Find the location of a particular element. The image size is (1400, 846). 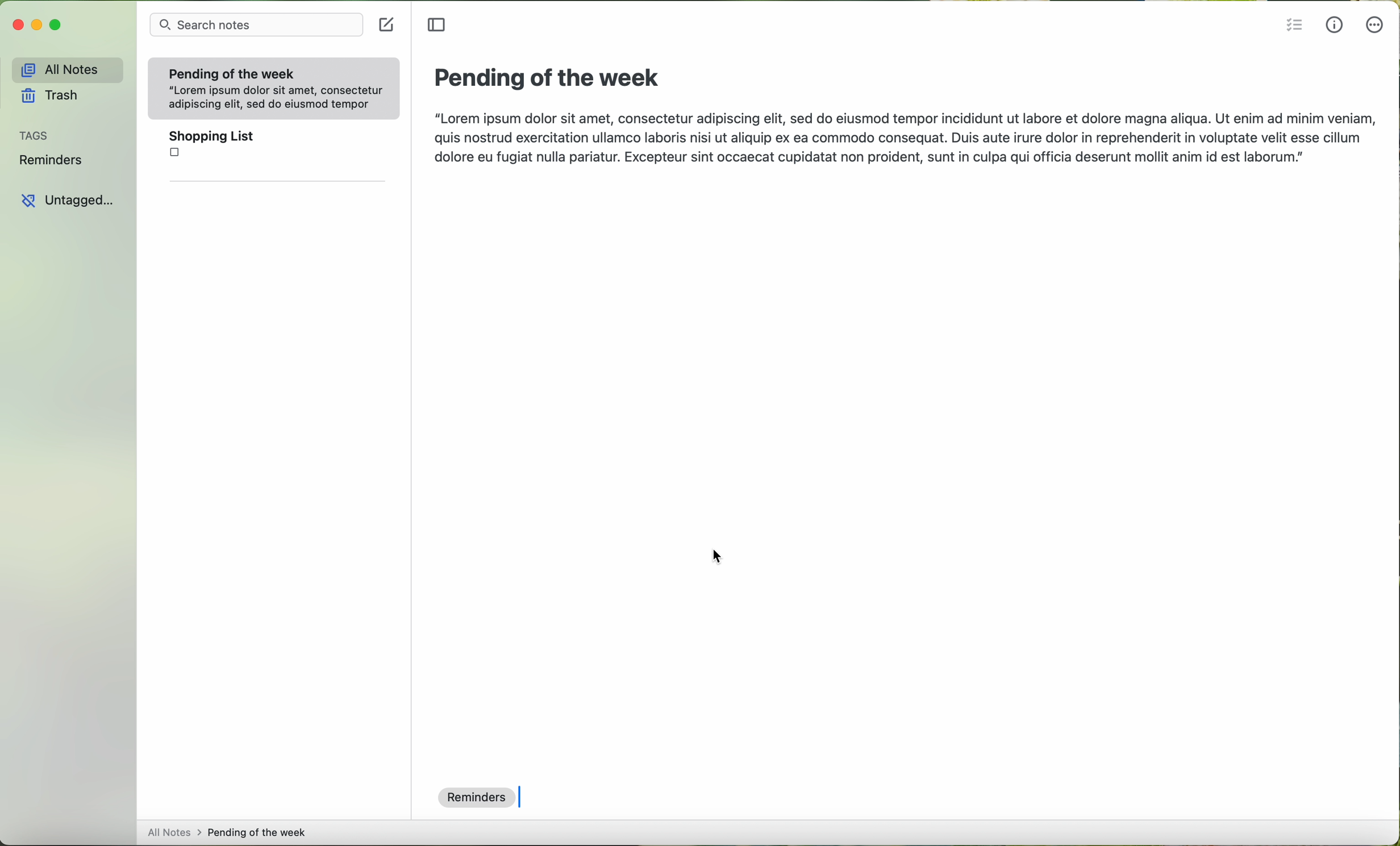

insert checklist is located at coordinates (1293, 26).